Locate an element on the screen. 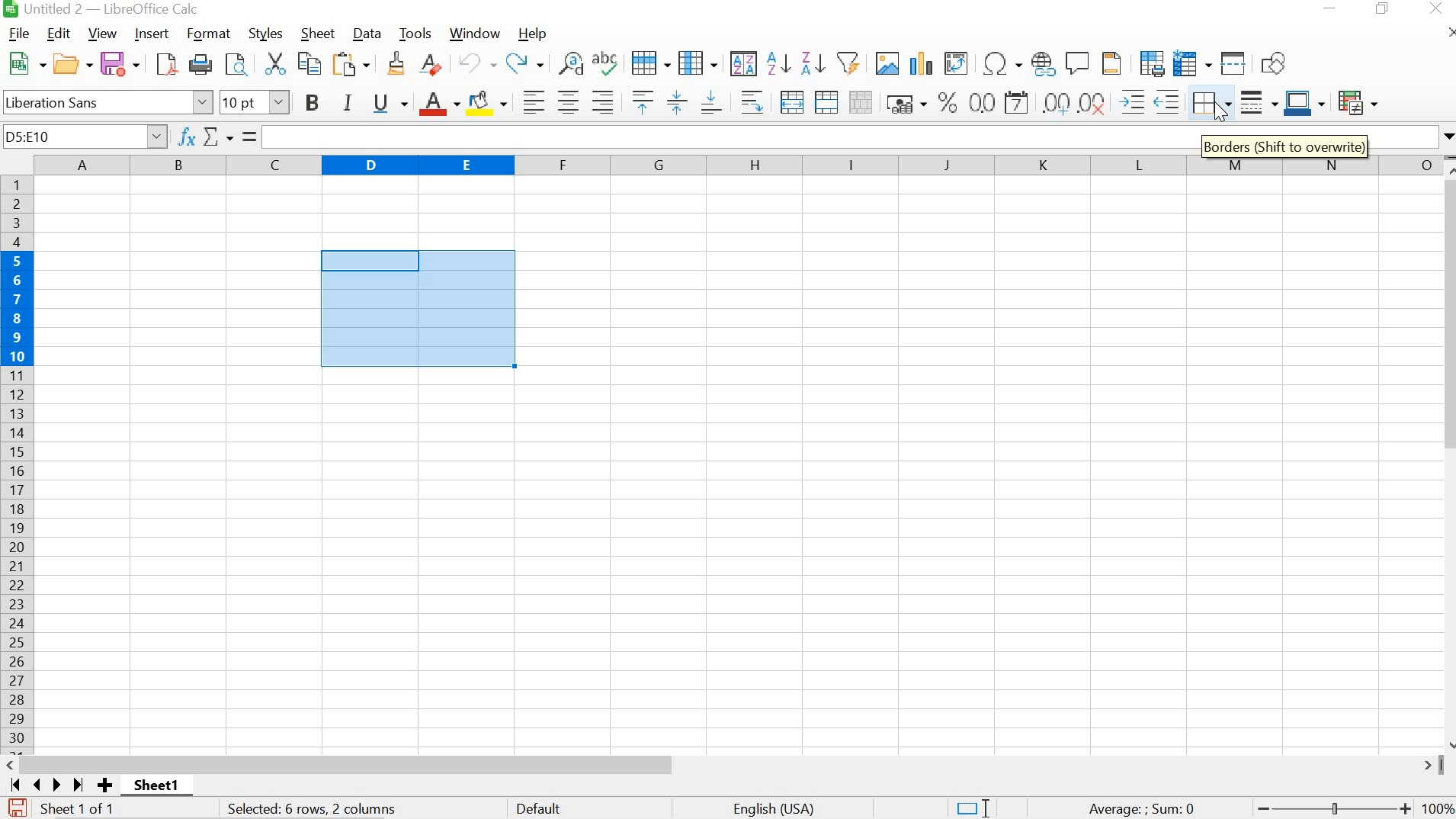  RESTORE DOWN is located at coordinates (1381, 9).